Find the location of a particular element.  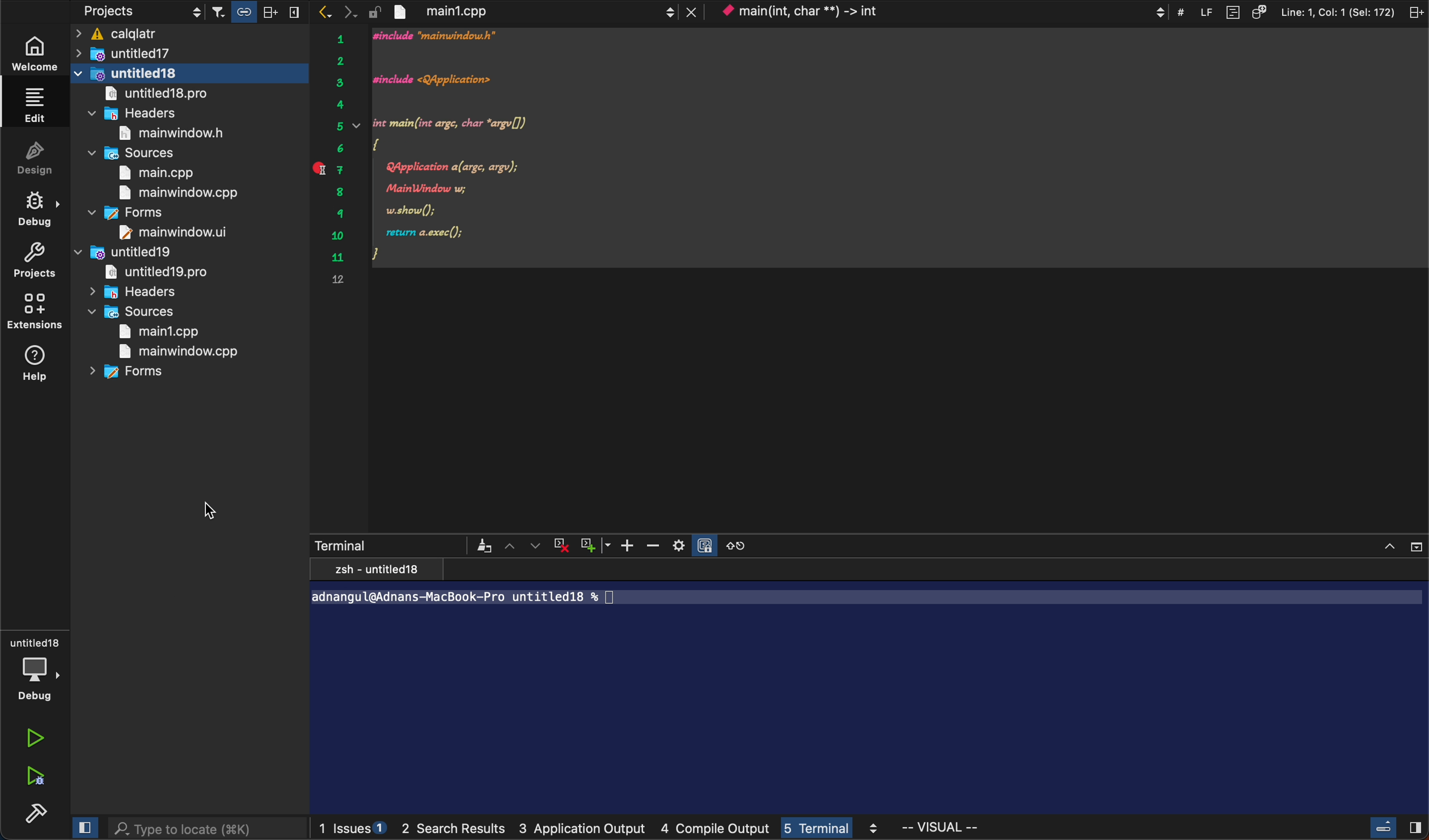

LF is located at coordinates (1202, 11).